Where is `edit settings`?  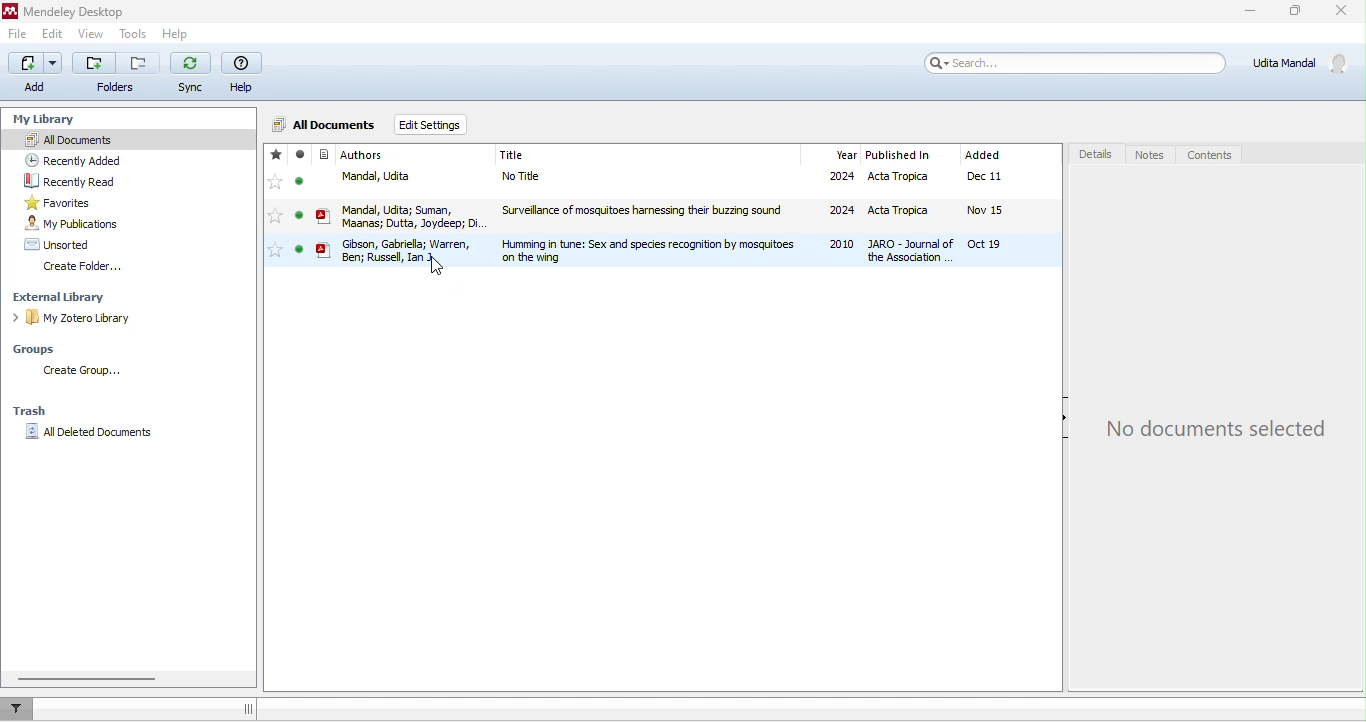
edit settings is located at coordinates (435, 122).